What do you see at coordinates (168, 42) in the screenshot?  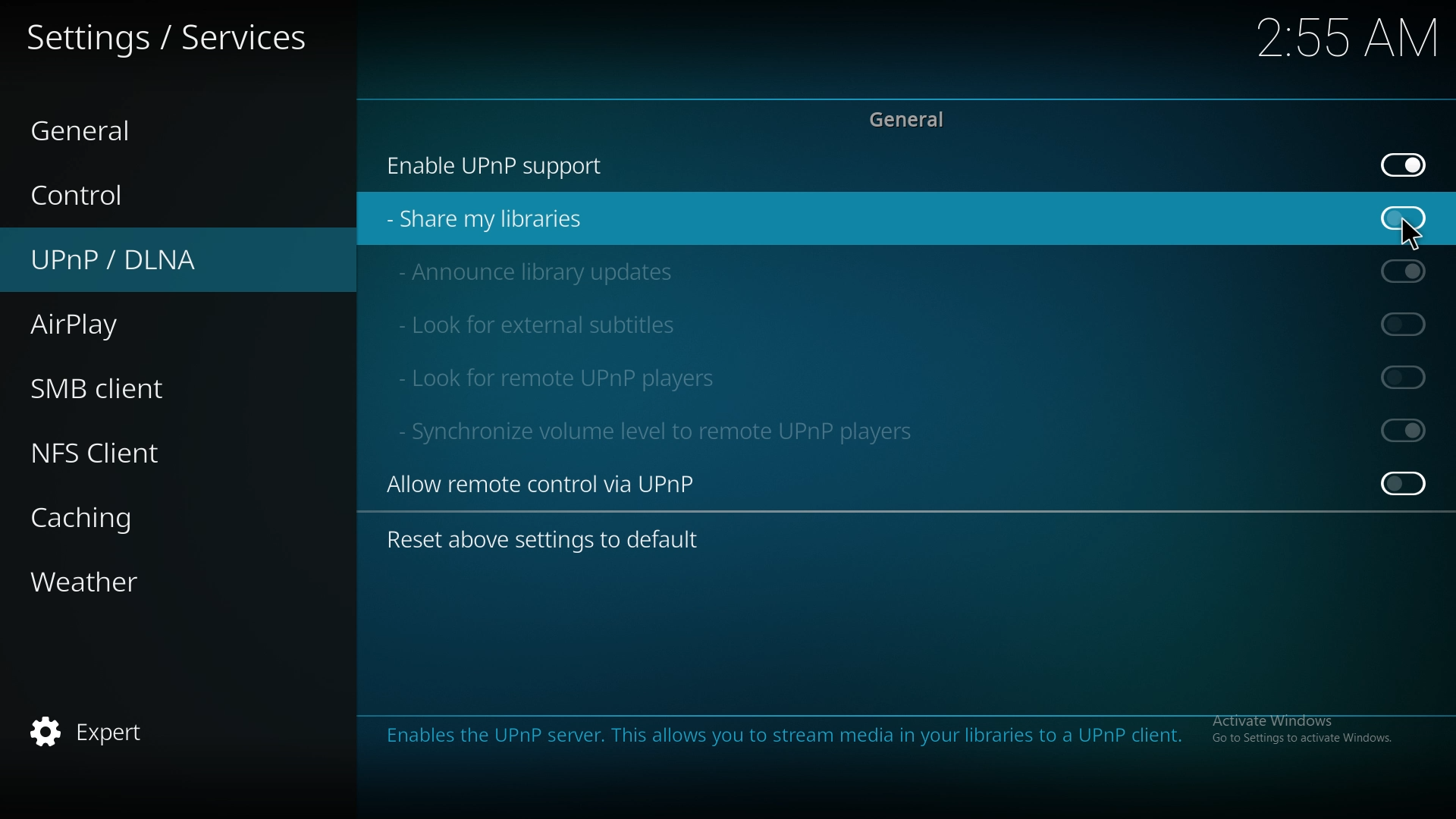 I see `services` at bounding box center [168, 42].